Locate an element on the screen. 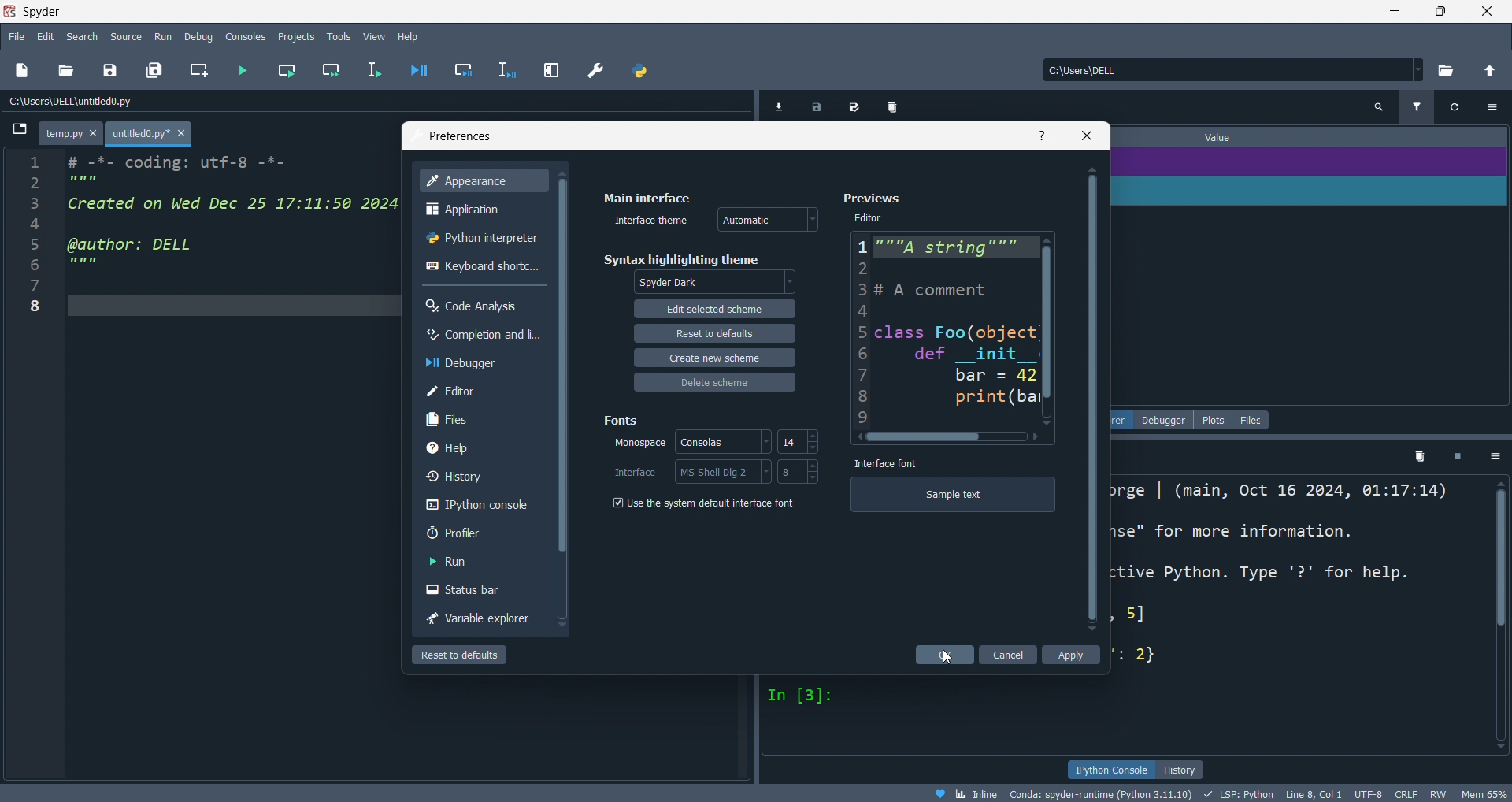  options is located at coordinates (1495, 111).